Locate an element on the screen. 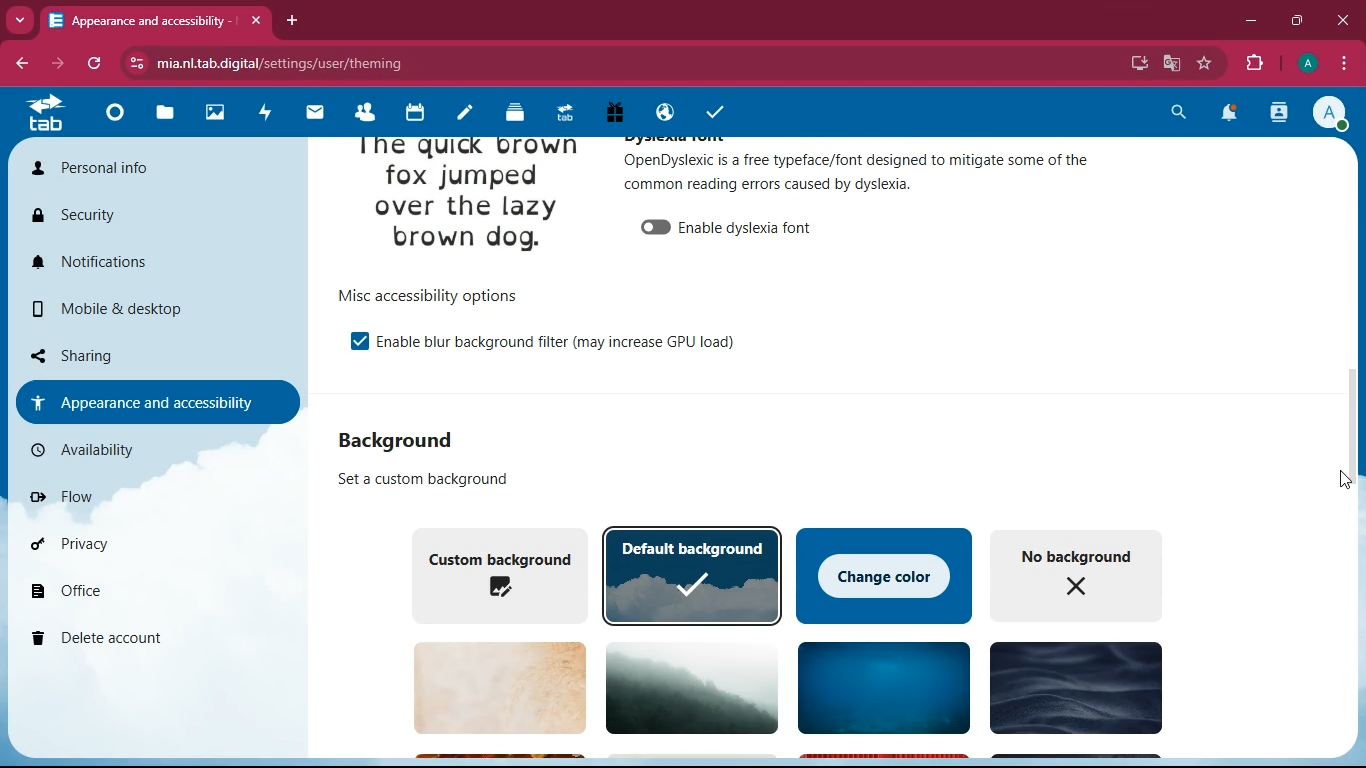  background is located at coordinates (1072, 691).